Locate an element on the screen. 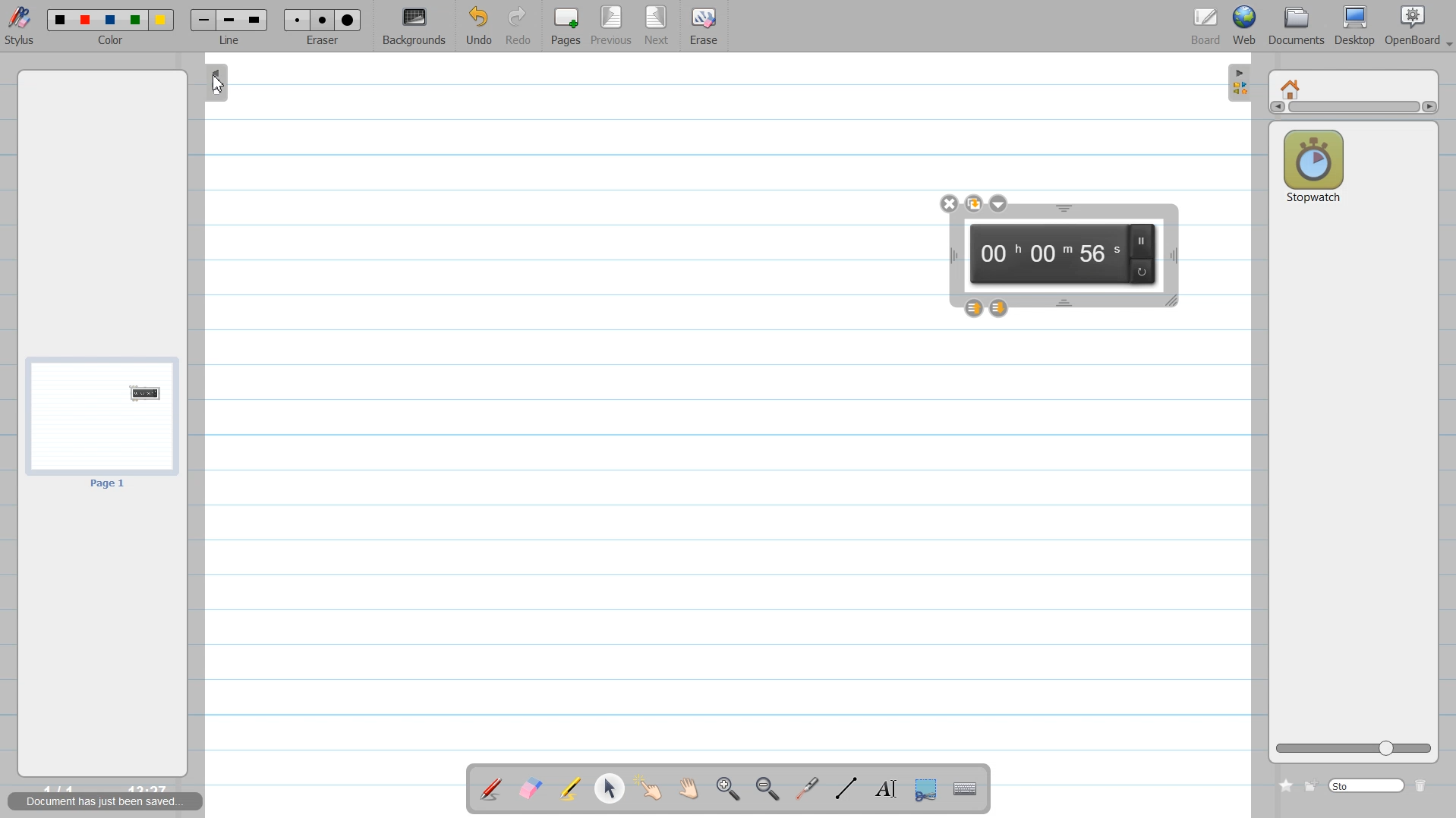 The width and height of the screenshot is (1456, 818). Scroll Page is located at coordinates (691, 789).